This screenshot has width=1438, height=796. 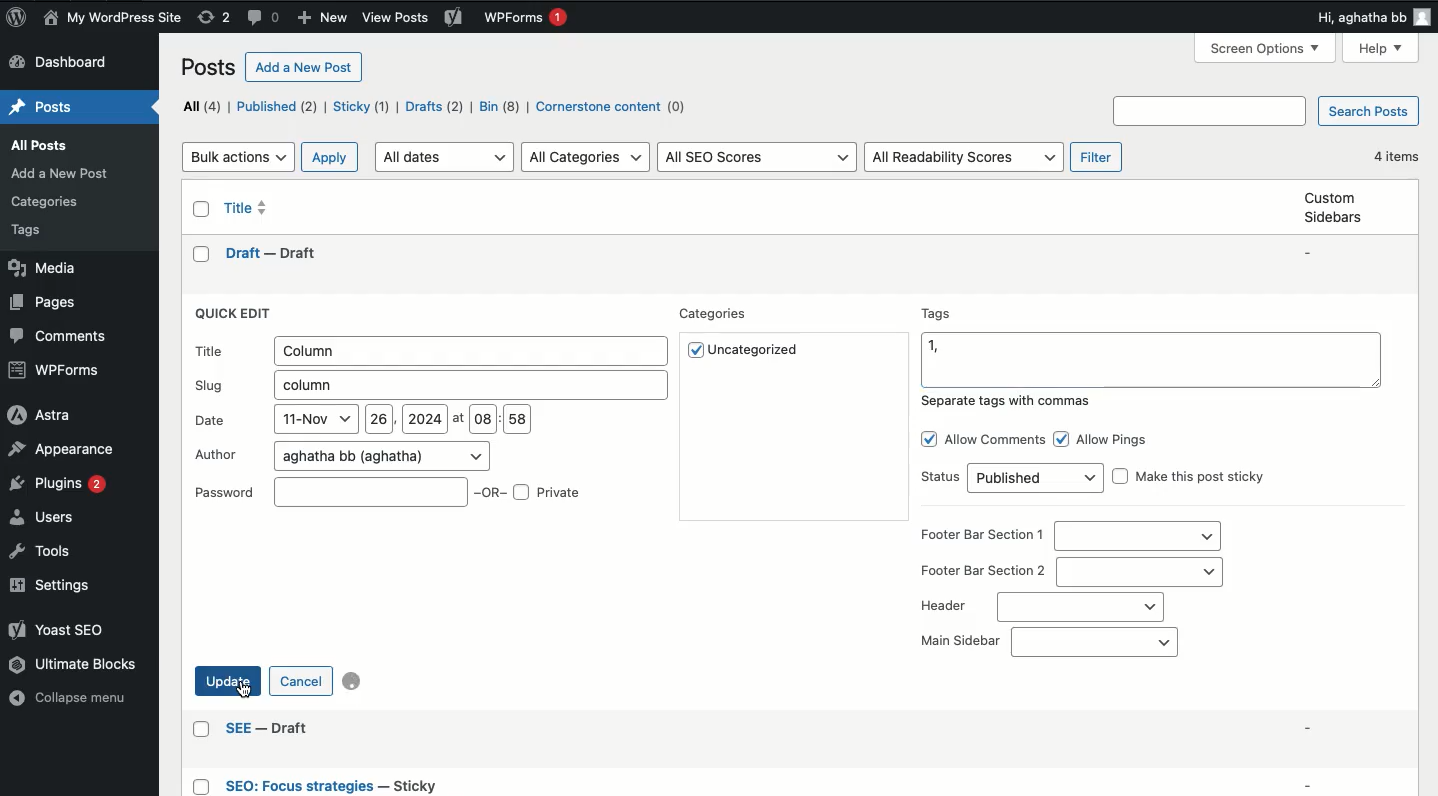 I want to click on Plugins, so click(x=59, y=488).